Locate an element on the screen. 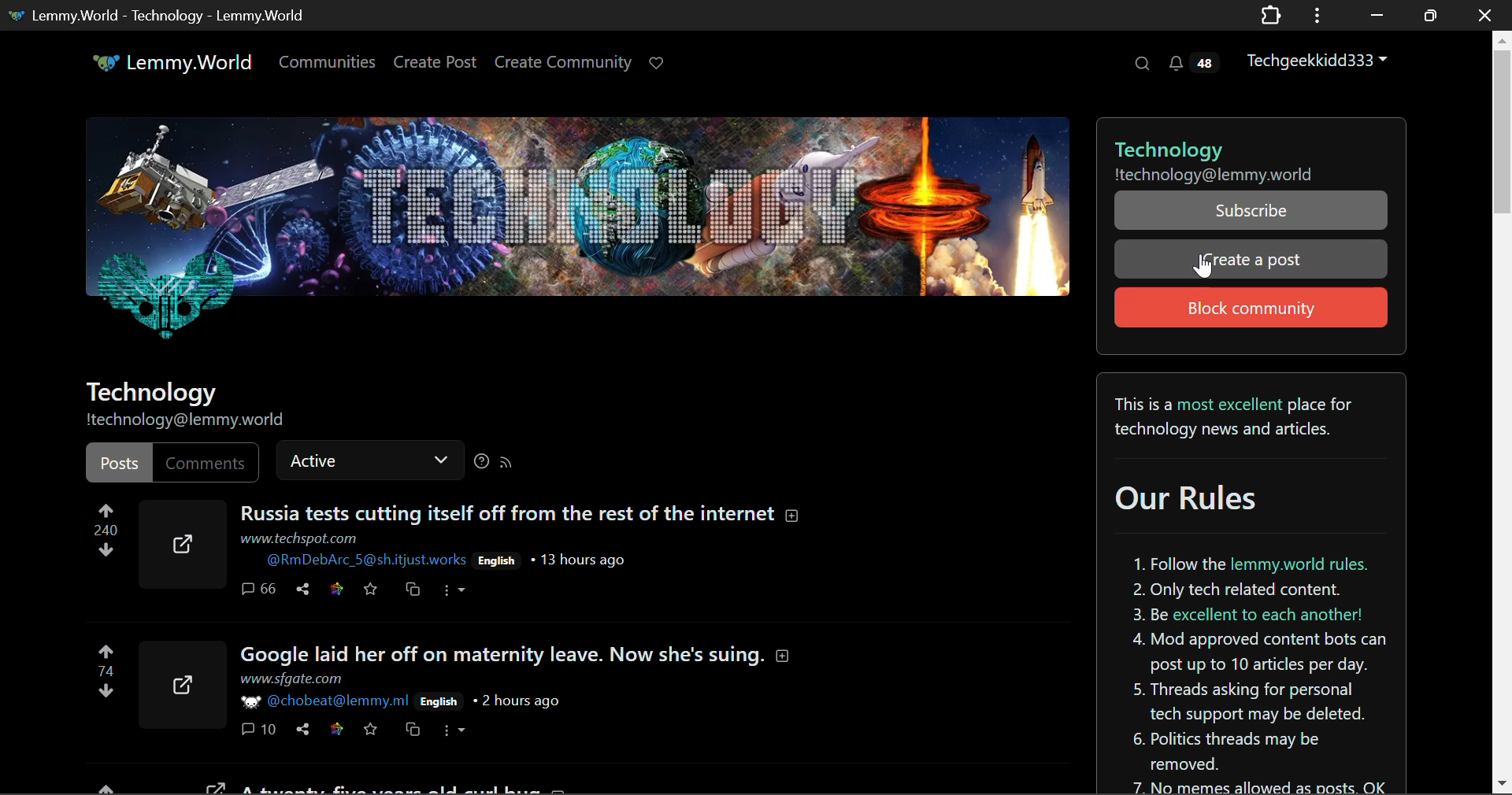 The image size is (1512, 795). Post Vote Counter is located at coordinates (105, 534).